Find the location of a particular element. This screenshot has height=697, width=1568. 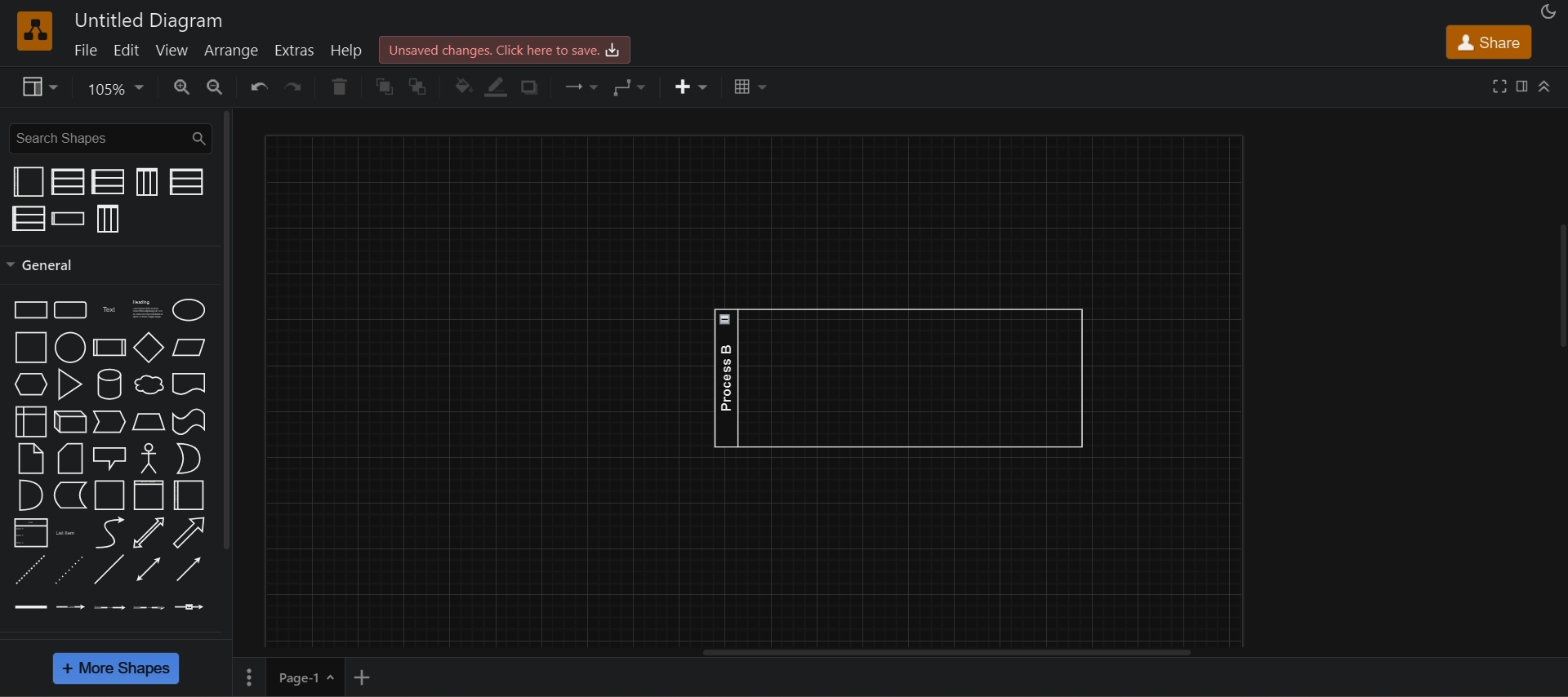

add new page is located at coordinates (369, 675).